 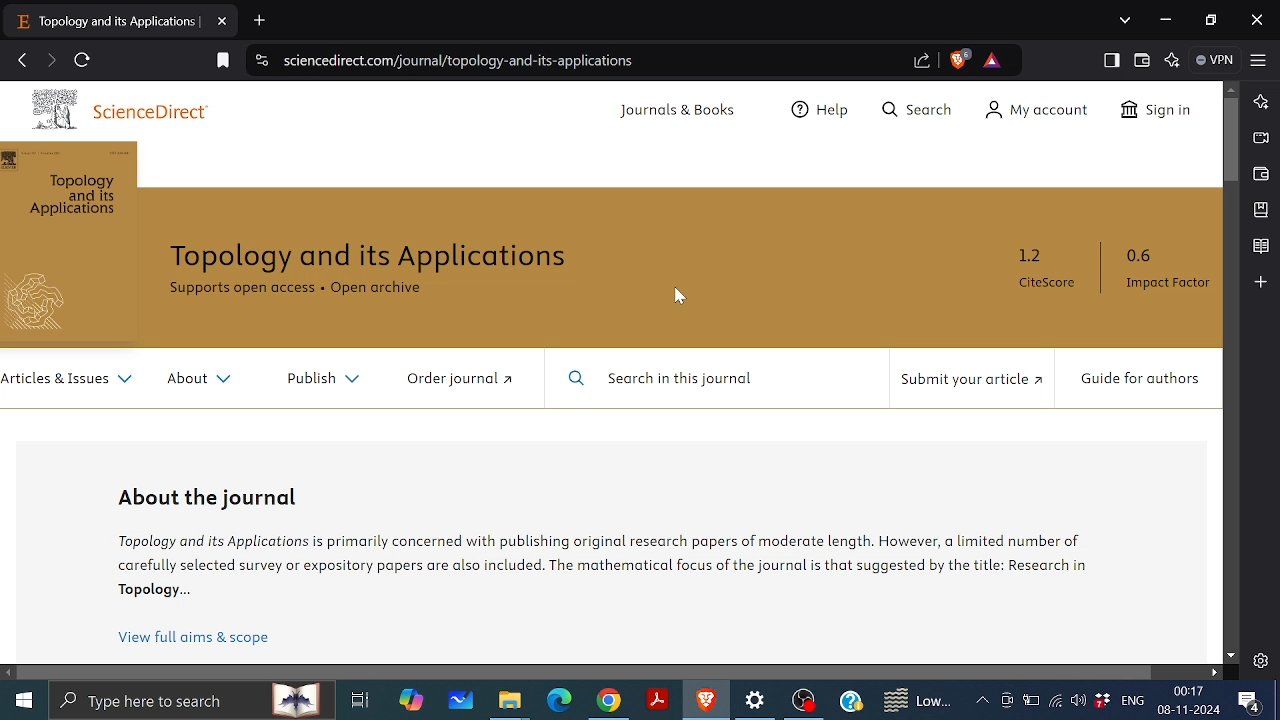 What do you see at coordinates (108, 26) in the screenshot?
I see `topology and its applications` at bounding box center [108, 26].